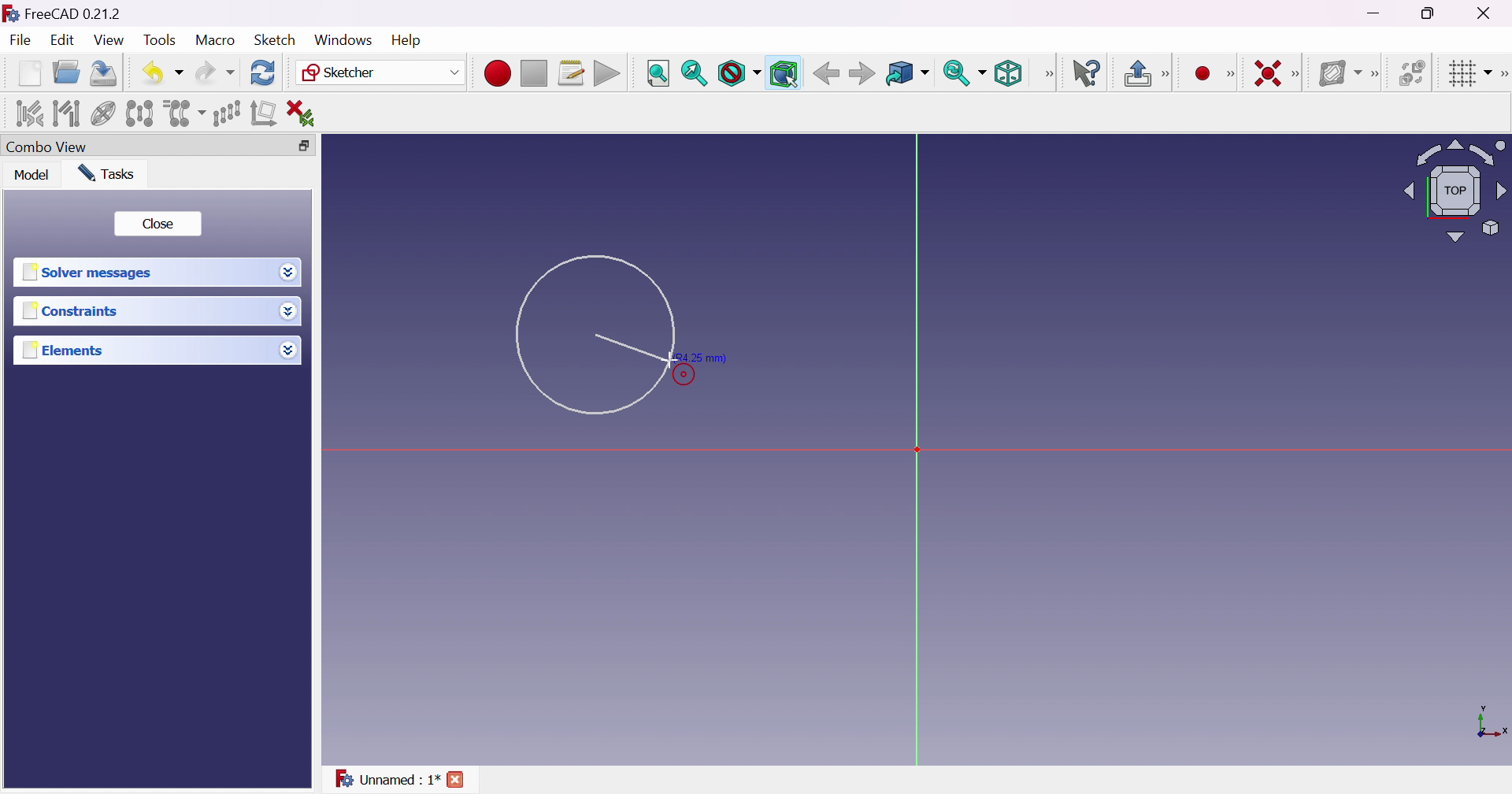  What do you see at coordinates (740, 74) in the screenshot?
I see `Draw style` at bounding box center [740, 74].